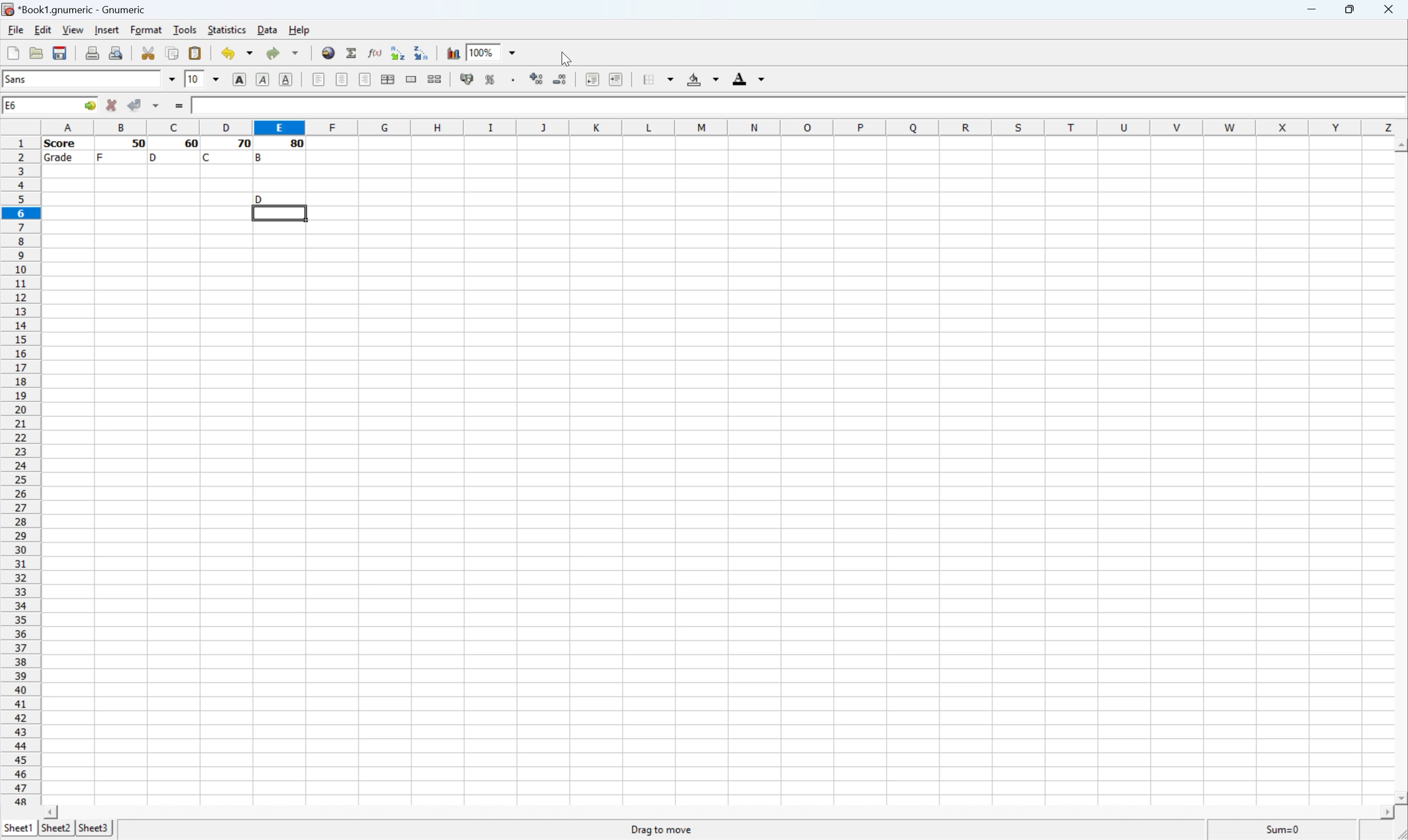 Image resolution: width=1408 pixels, height=840 pixels. I want to click on Print current file, so click(90, 53).